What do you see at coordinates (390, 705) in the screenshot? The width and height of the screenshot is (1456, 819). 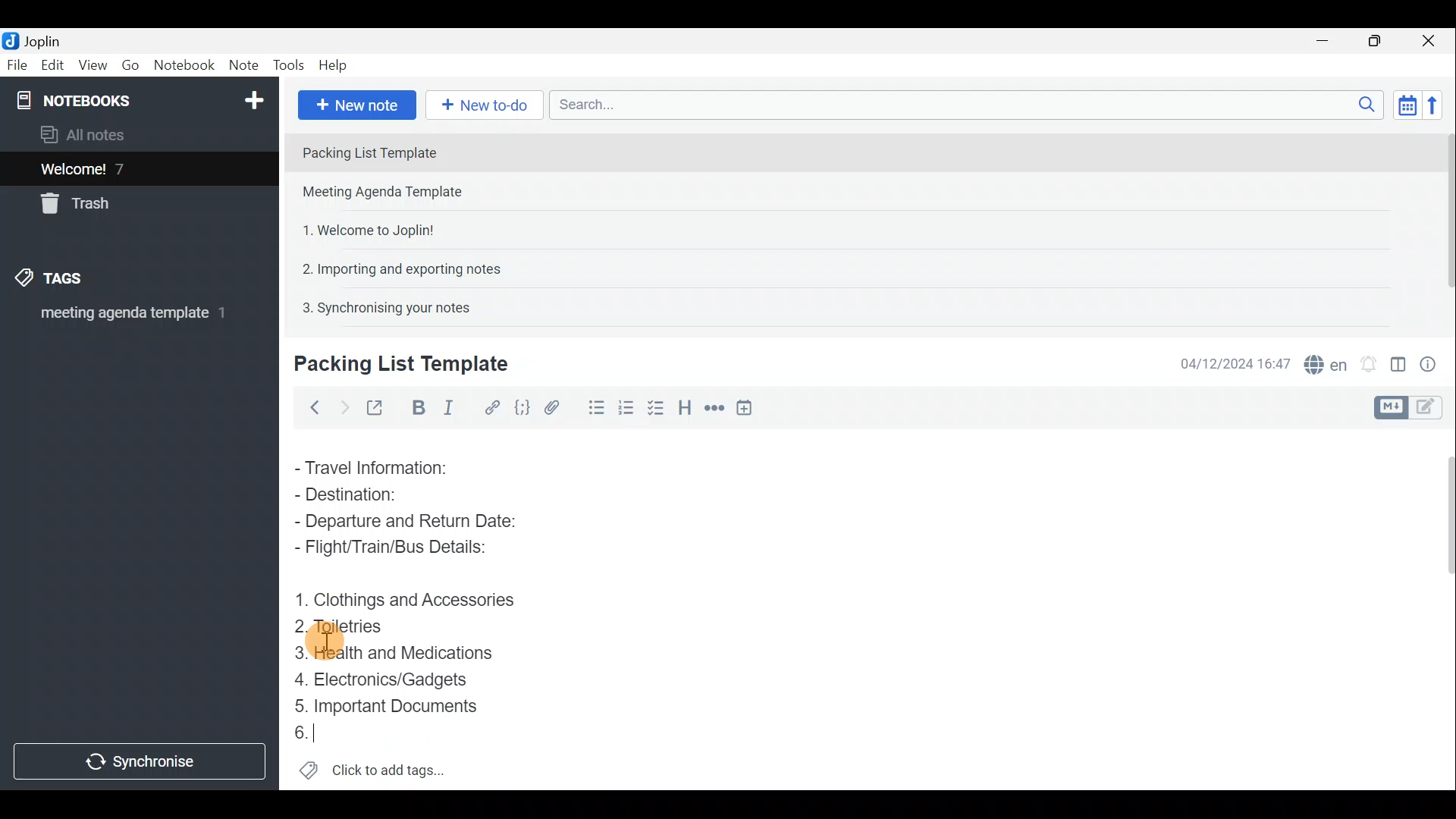 I see `Important Documents` at bounding box center [390, 705].